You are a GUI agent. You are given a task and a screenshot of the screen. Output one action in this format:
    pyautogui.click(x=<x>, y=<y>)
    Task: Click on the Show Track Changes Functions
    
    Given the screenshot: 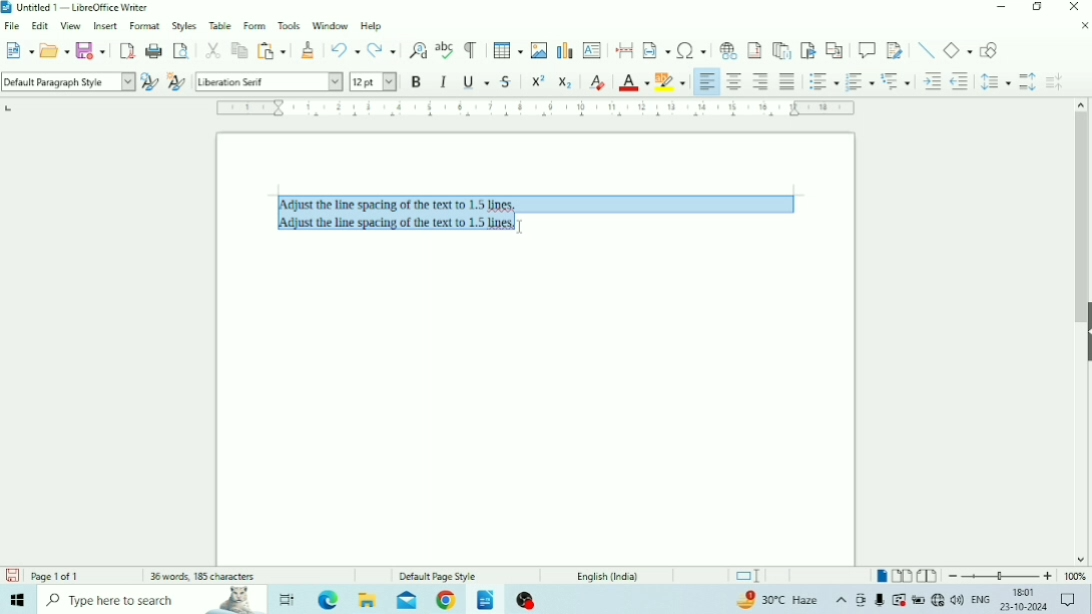 What is the action you would take?
    pyautogui.click(x=895, y=48)
    